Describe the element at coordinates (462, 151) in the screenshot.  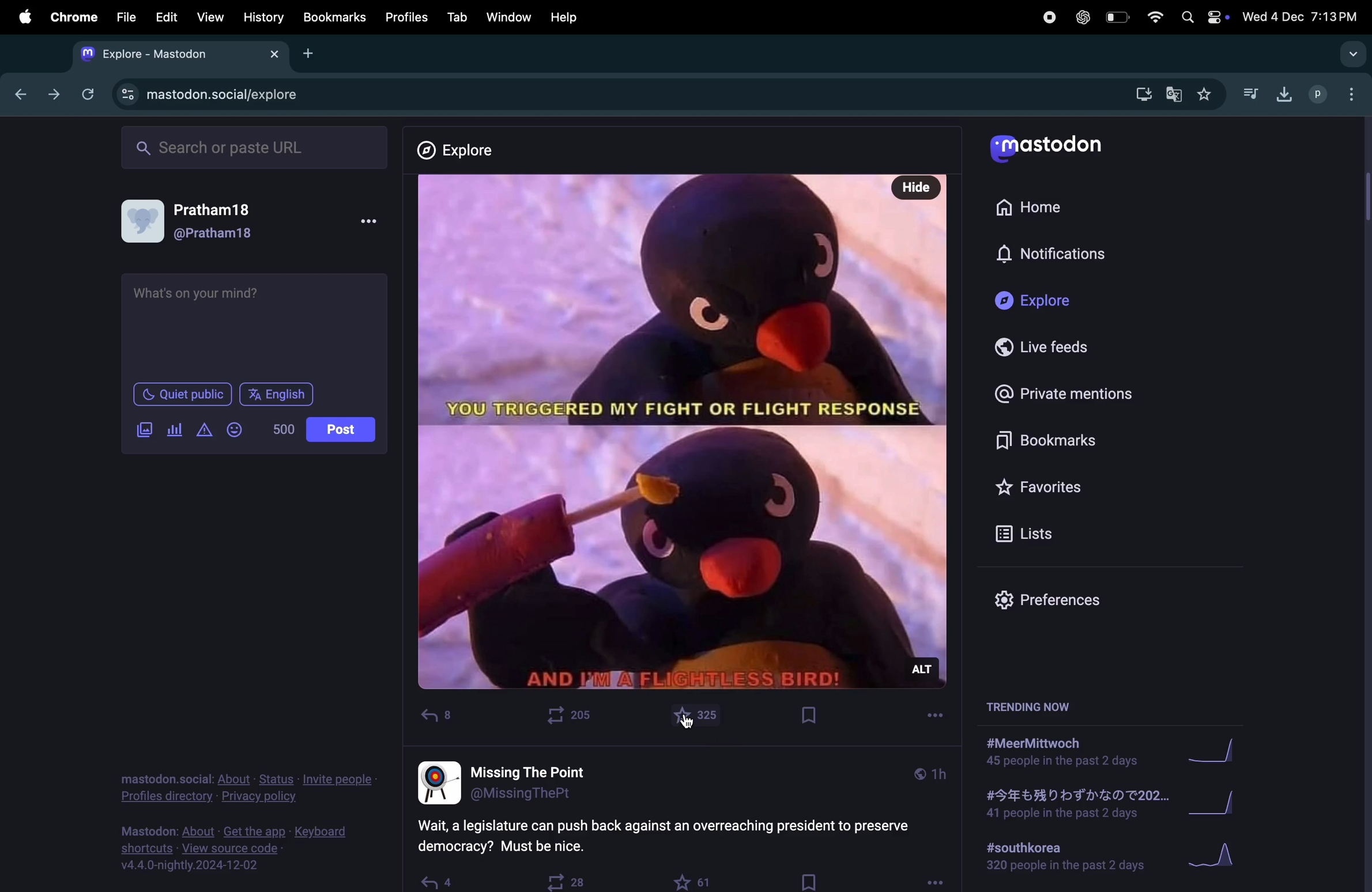
I see `explore` at that location.